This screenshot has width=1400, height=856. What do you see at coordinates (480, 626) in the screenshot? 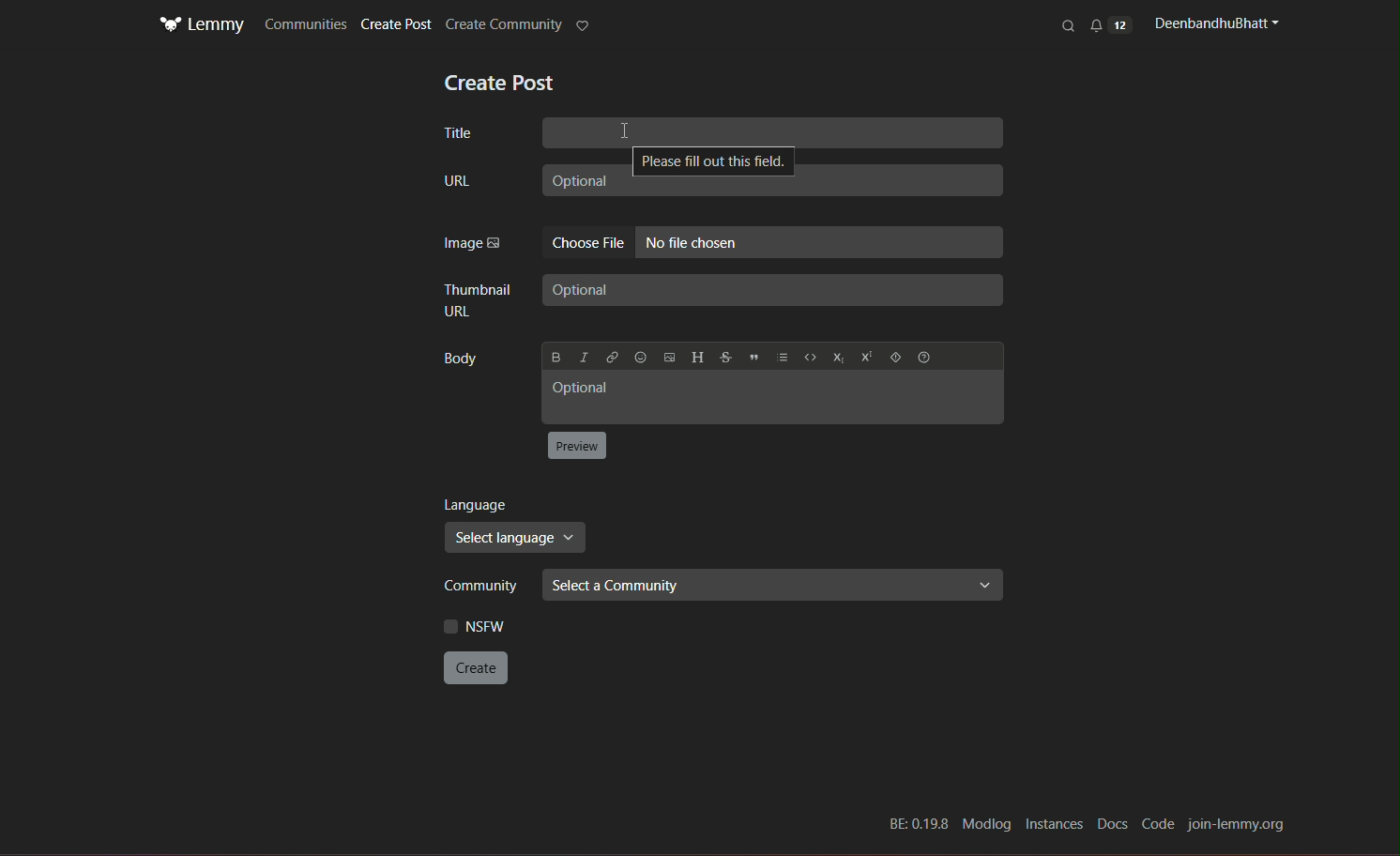
I see `NSFW` at bounding box center [480, 626].